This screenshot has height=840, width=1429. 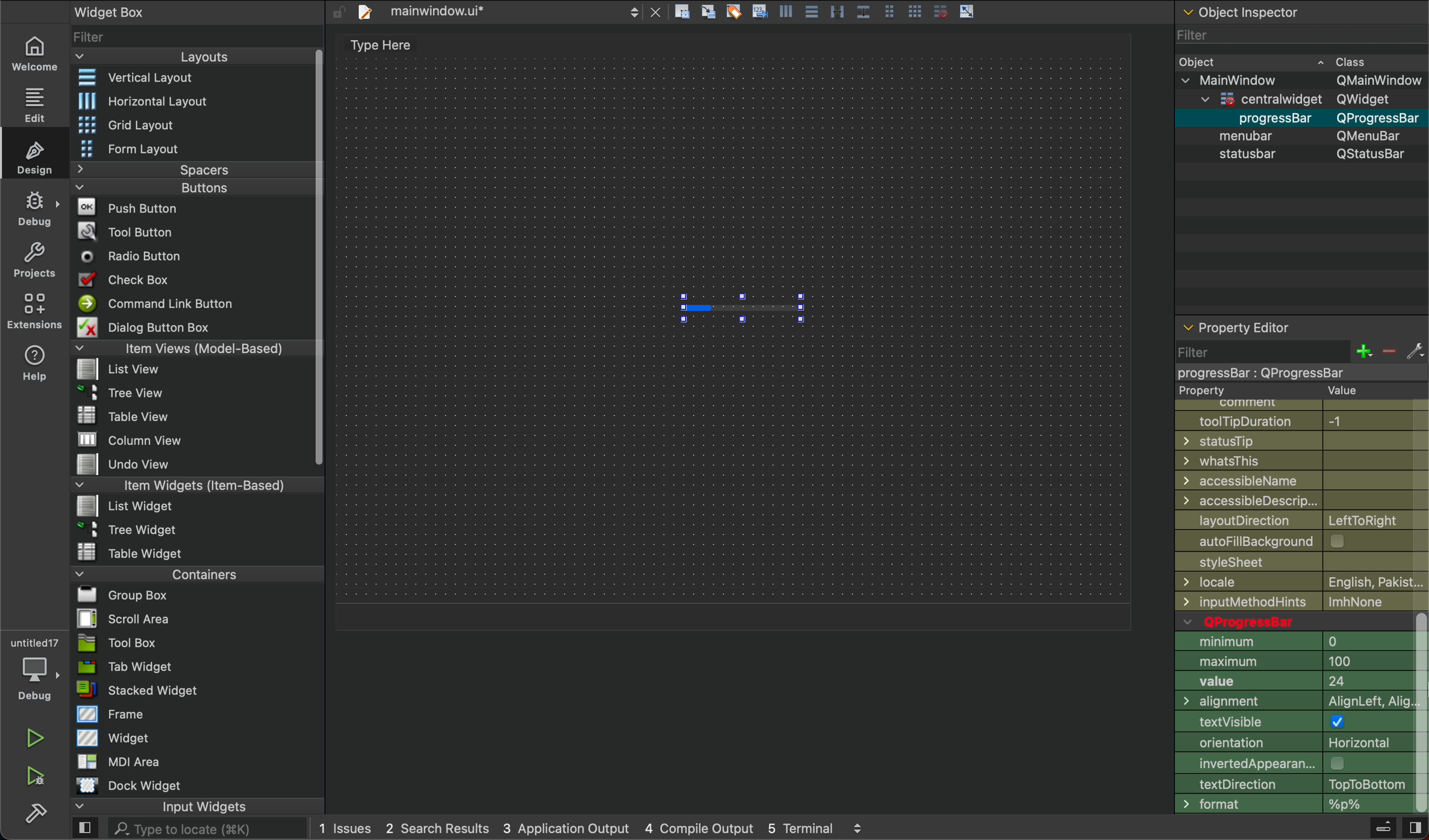 I want to click on Container, so click(x=168, y=573).